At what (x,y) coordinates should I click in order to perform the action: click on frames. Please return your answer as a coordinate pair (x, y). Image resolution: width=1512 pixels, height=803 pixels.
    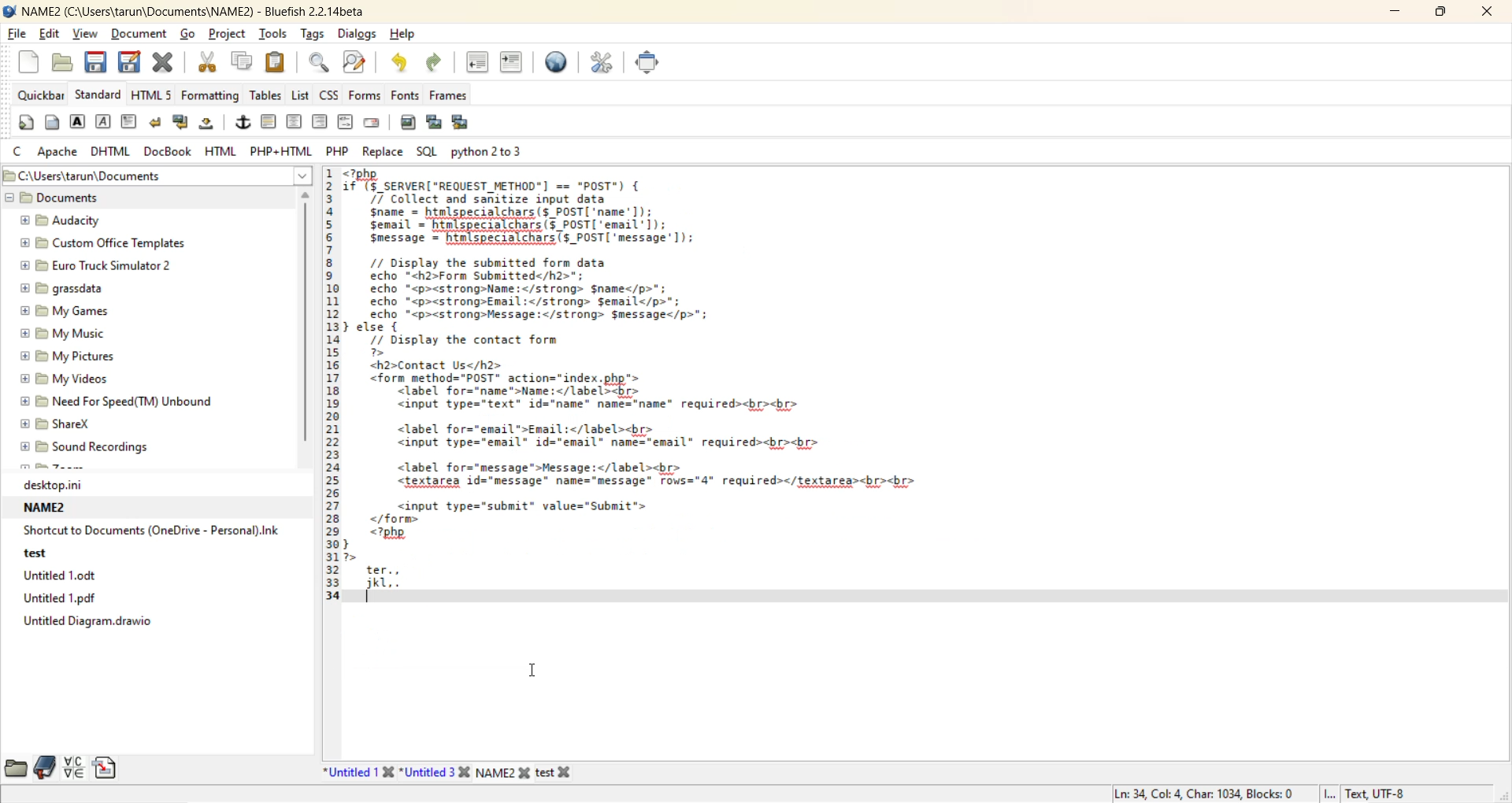
    Looking at the image, I should click on (454, 98).